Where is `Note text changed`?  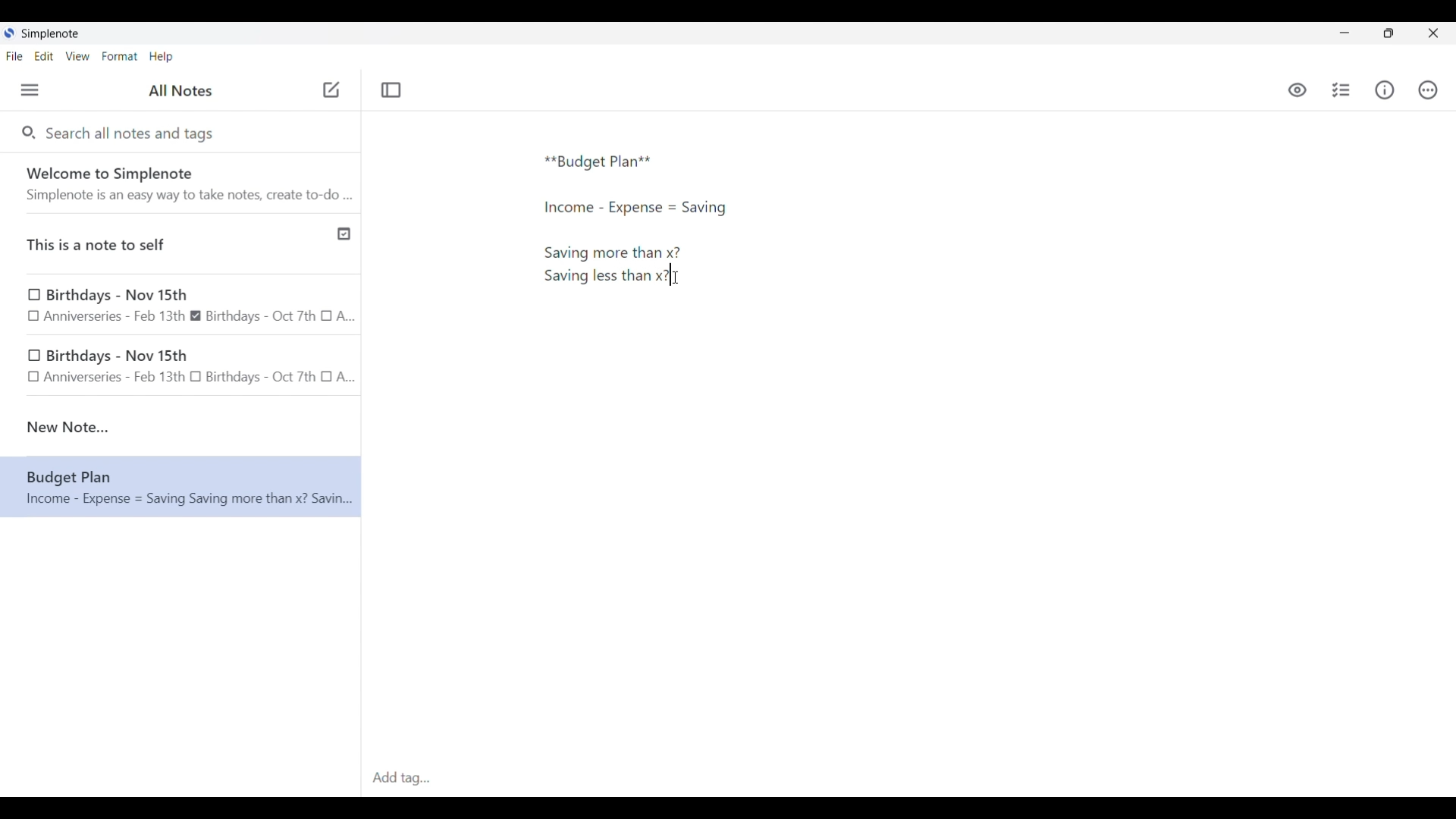
Note text changed is located at coordinates (180, 487).